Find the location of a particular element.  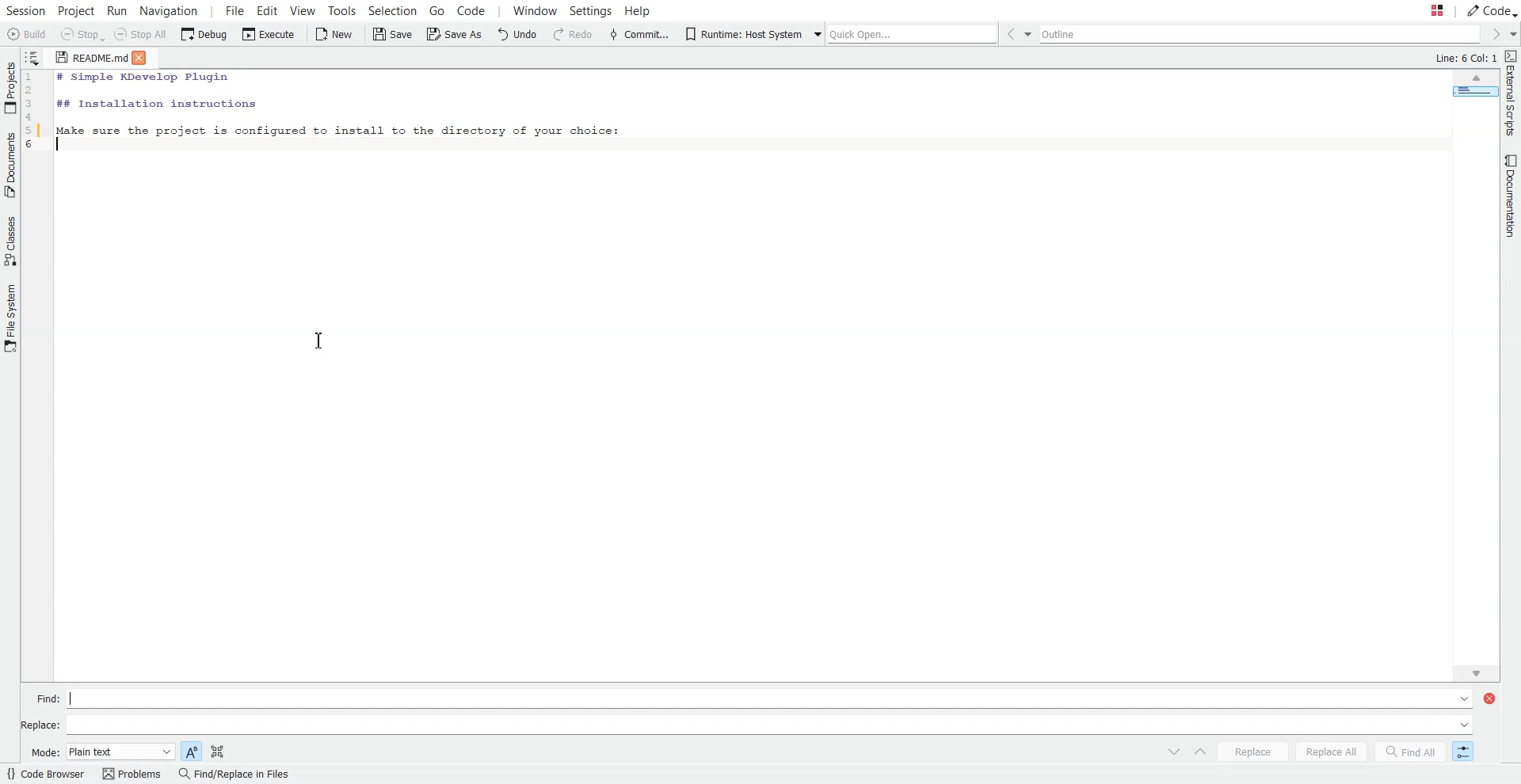

Save as is located at coordinates (453, 36).